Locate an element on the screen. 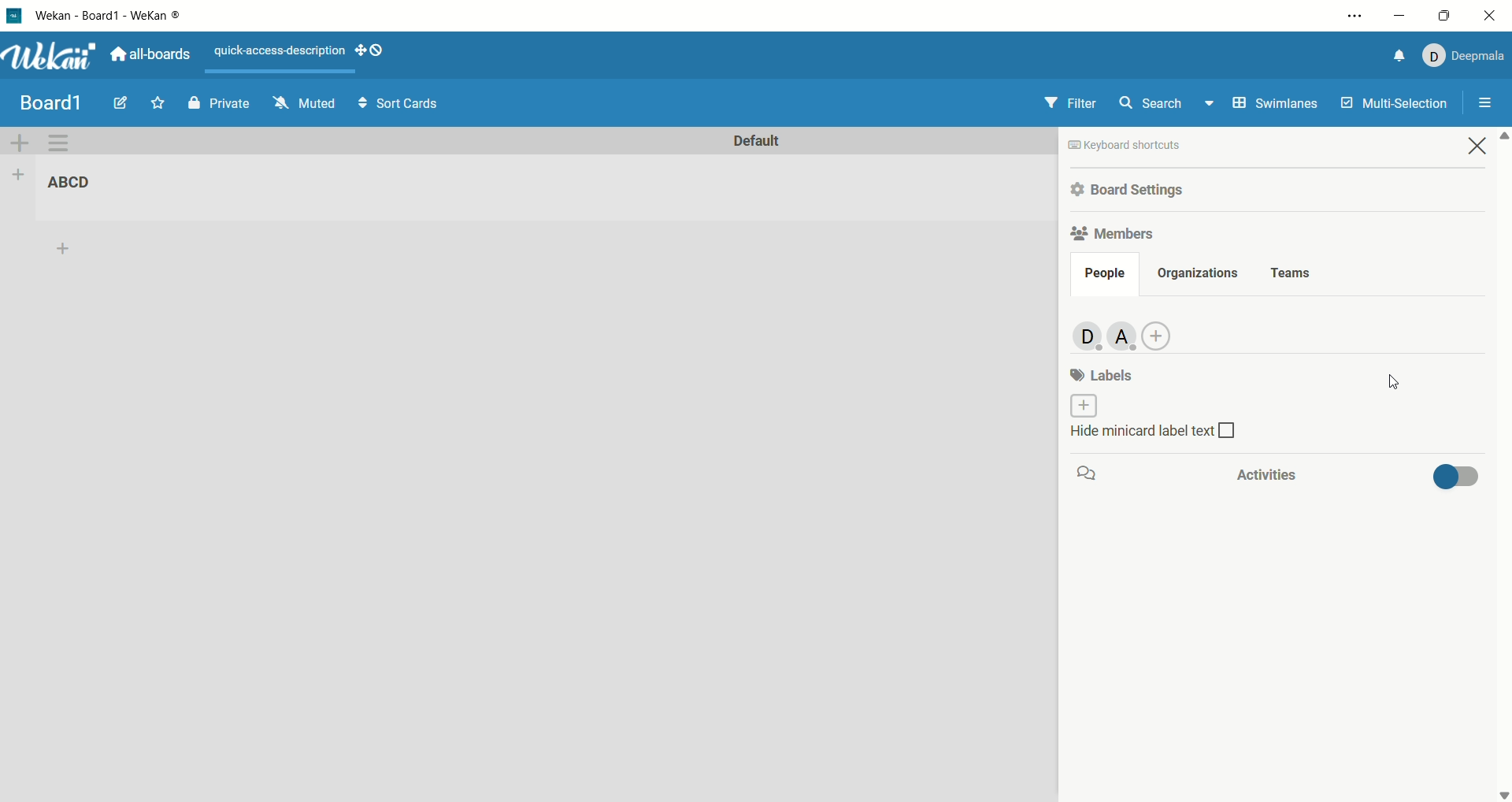  members is located at coordinates (1116, 232).